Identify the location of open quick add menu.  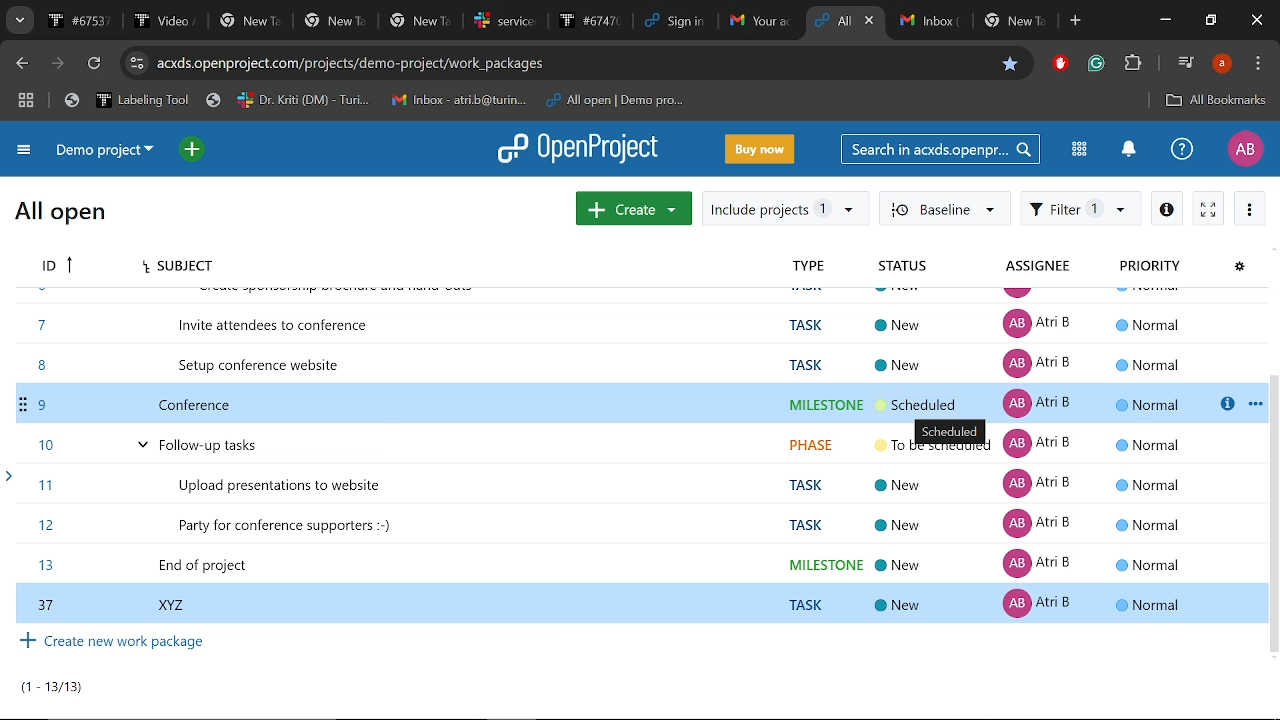
(192, 149).